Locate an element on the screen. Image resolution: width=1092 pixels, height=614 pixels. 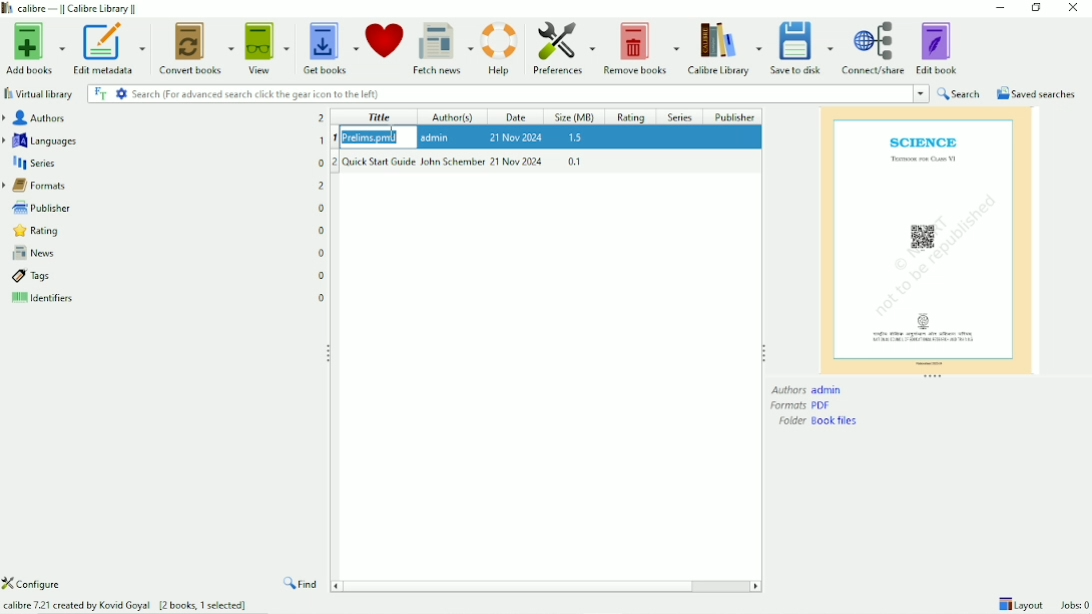
Horizontal scrollbar is located at coordinates (547, 587).